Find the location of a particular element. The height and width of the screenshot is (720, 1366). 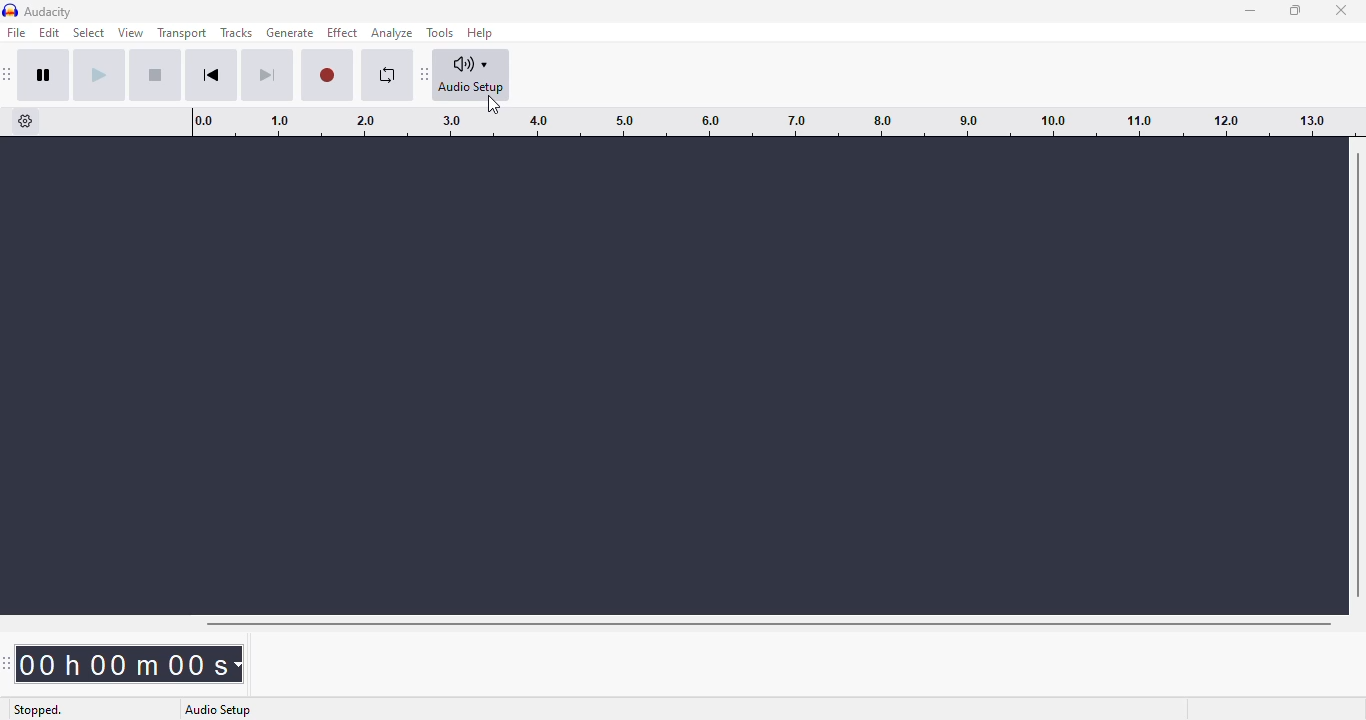

analyze is located at coordinates (392, 33).